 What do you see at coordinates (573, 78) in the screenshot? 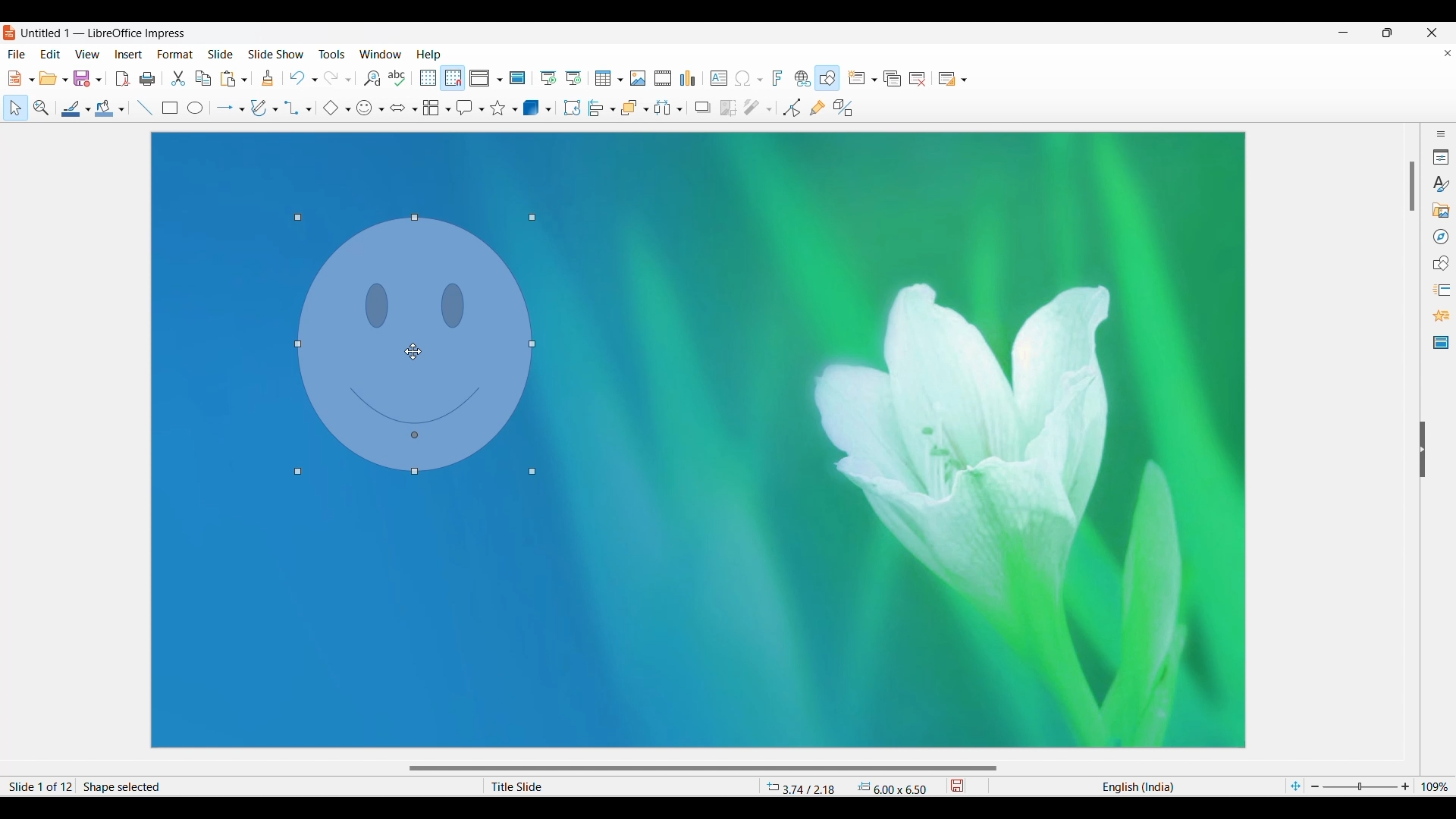
I see `Start from current slide` at bounding box center [573, 78].